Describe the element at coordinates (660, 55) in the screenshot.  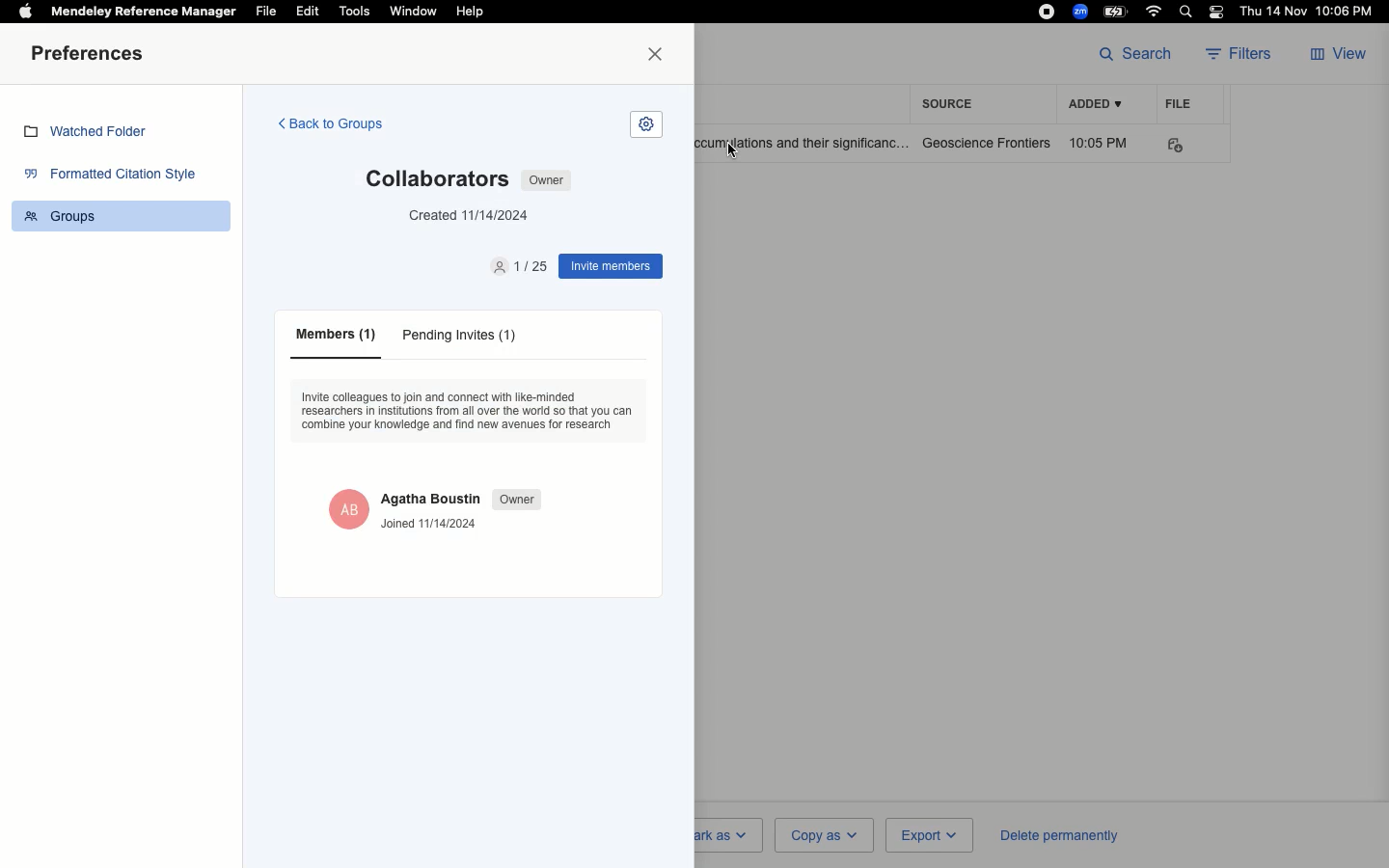
I see `Close` at that location.